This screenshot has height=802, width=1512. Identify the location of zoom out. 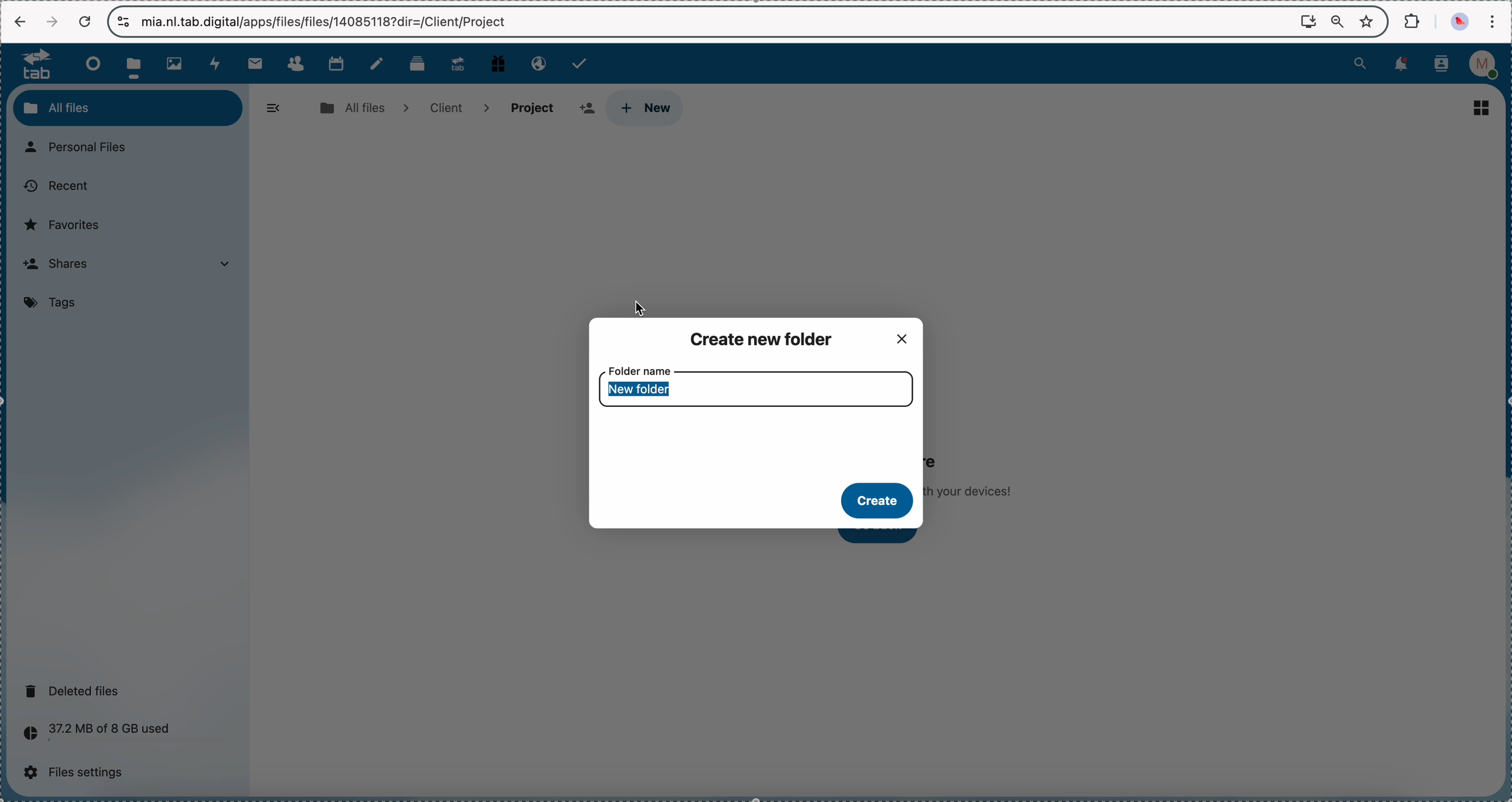
(1338, 22).